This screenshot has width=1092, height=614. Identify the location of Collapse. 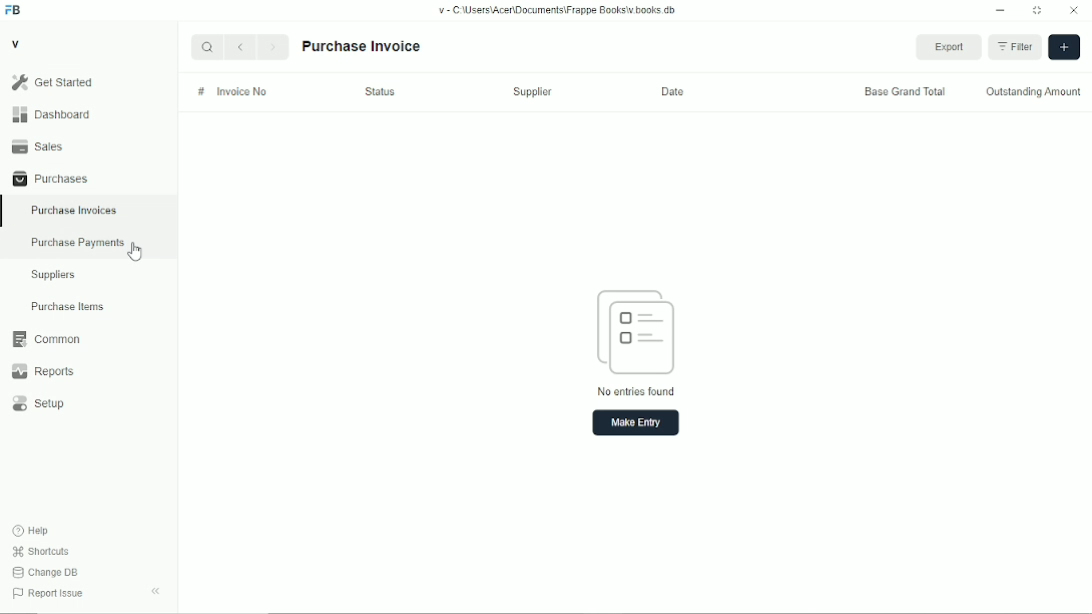
(155, 591).